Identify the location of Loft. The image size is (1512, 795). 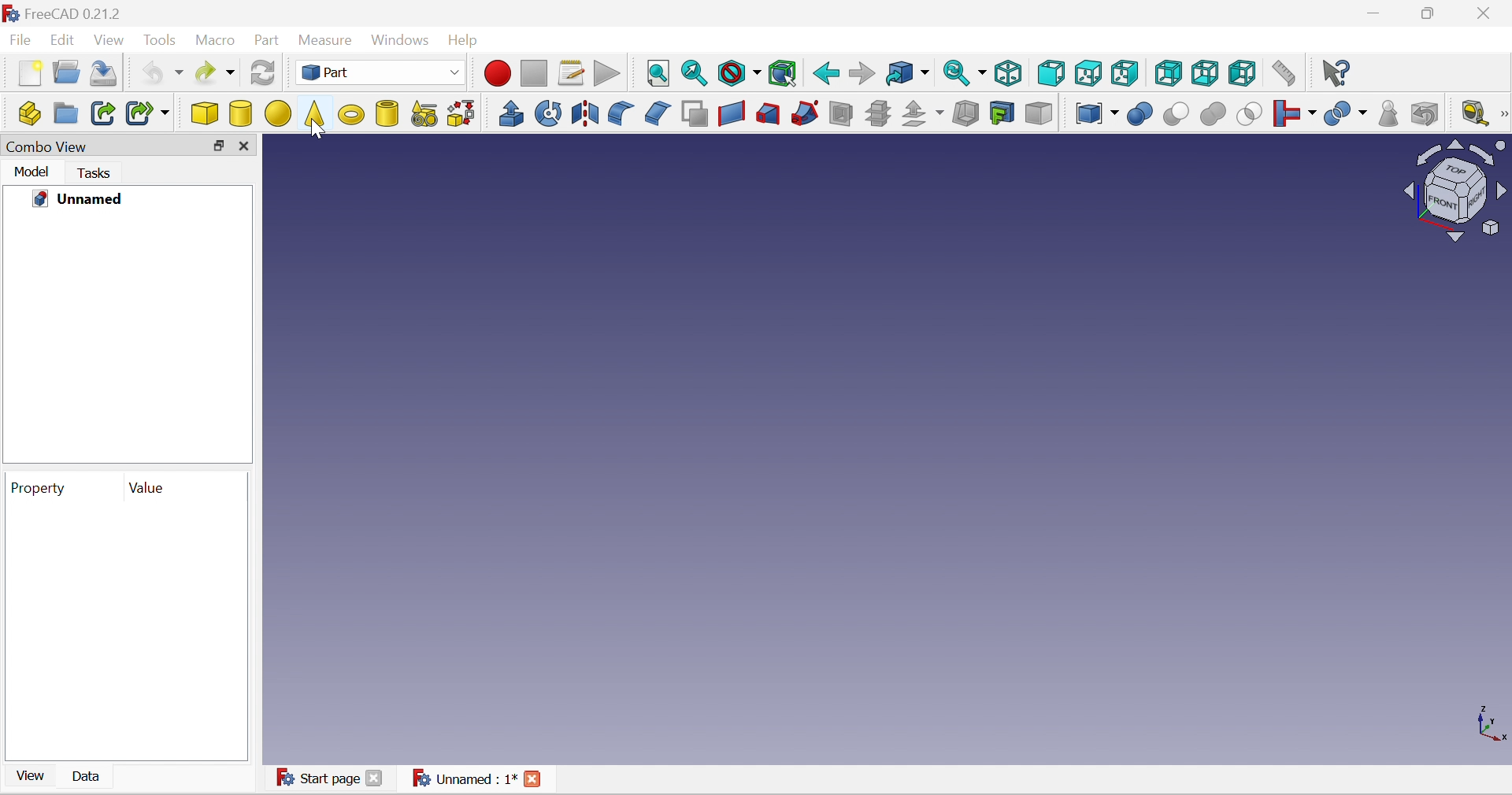
(771, 115).